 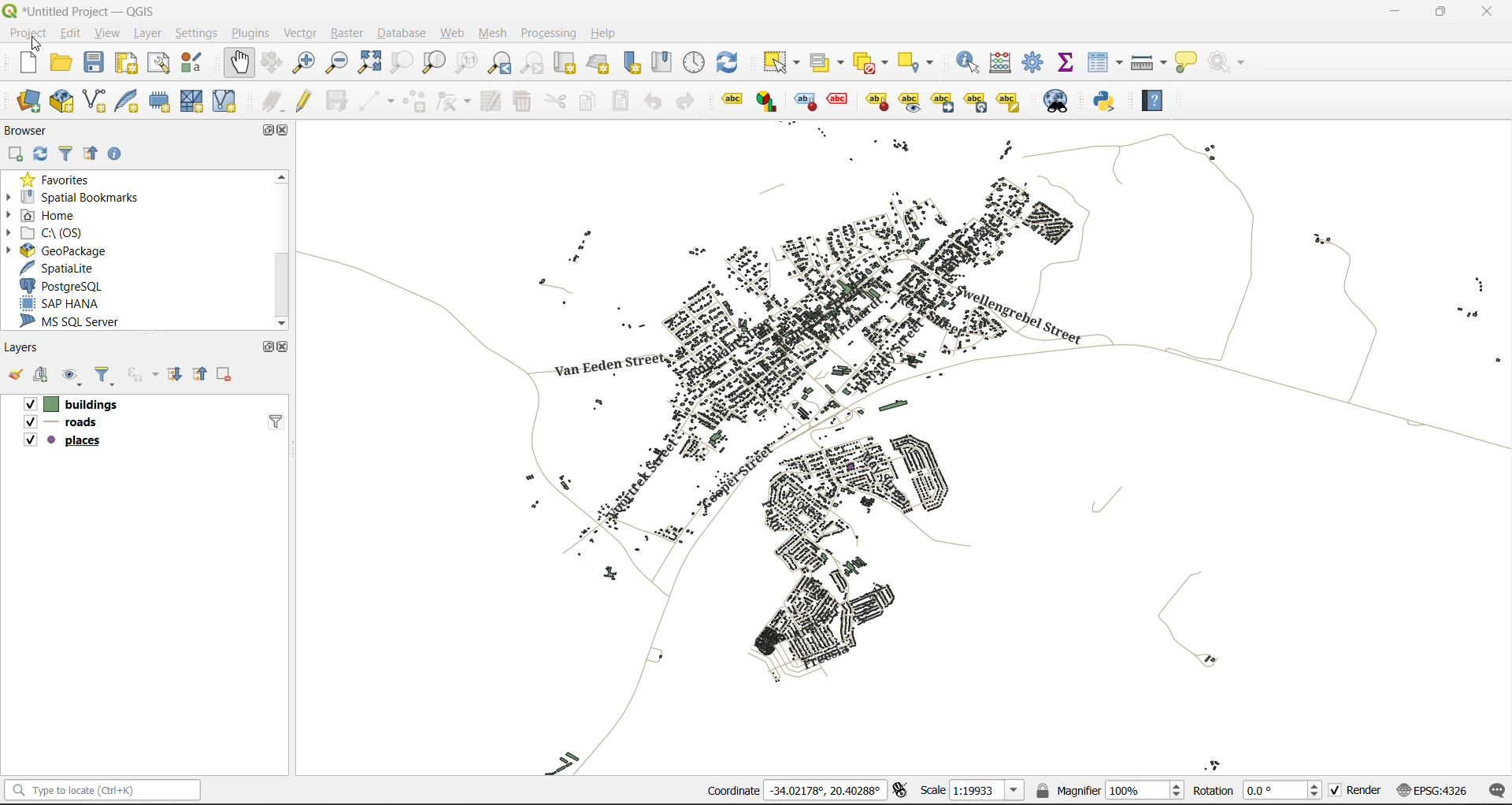 What do you see at coordinates (195, 63) in the screenshot?
I see `style manager` at bounding box center [195, 63].